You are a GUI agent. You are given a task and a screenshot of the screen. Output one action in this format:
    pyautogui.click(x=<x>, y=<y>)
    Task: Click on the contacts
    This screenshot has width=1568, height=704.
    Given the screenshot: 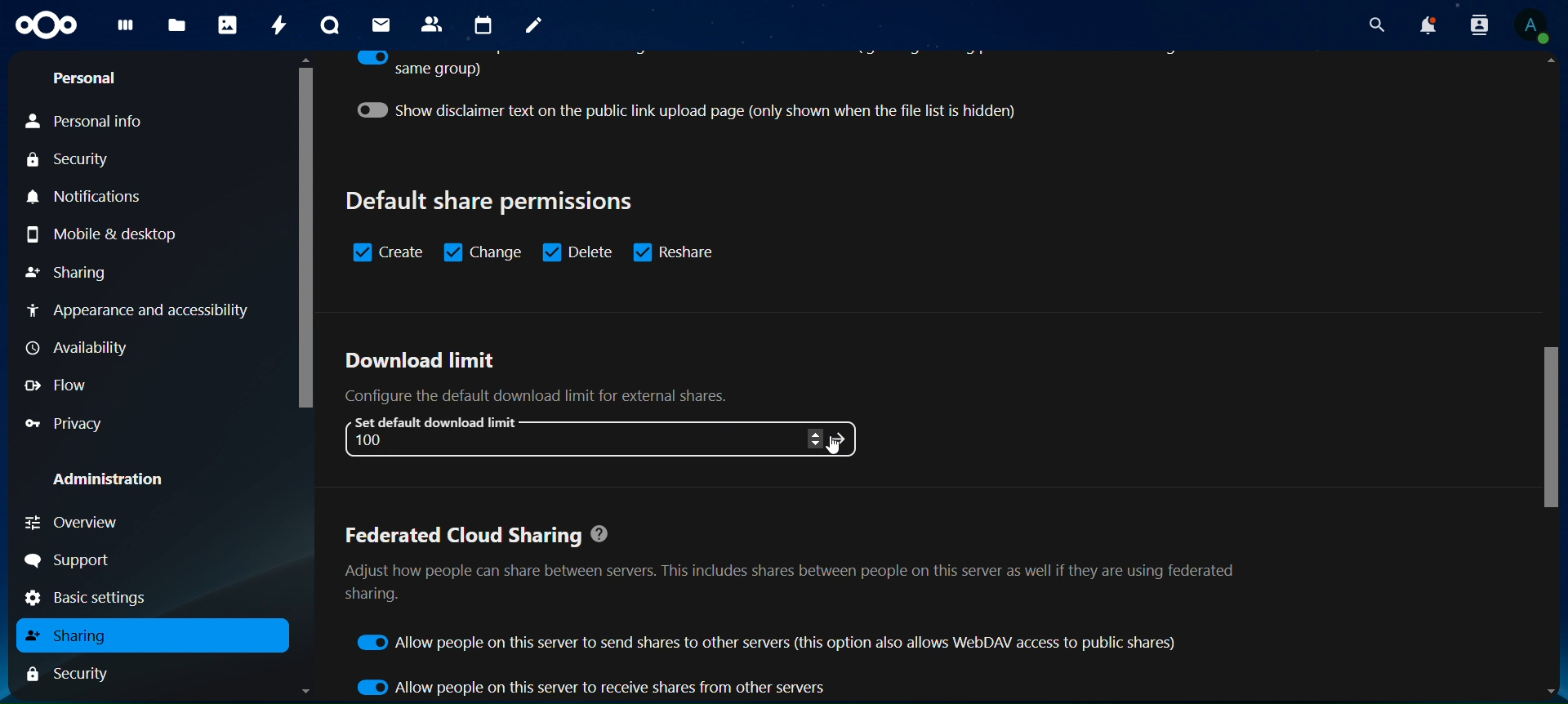 What is the action you would take?
    pyautogui.click(x=434, y=24)
    